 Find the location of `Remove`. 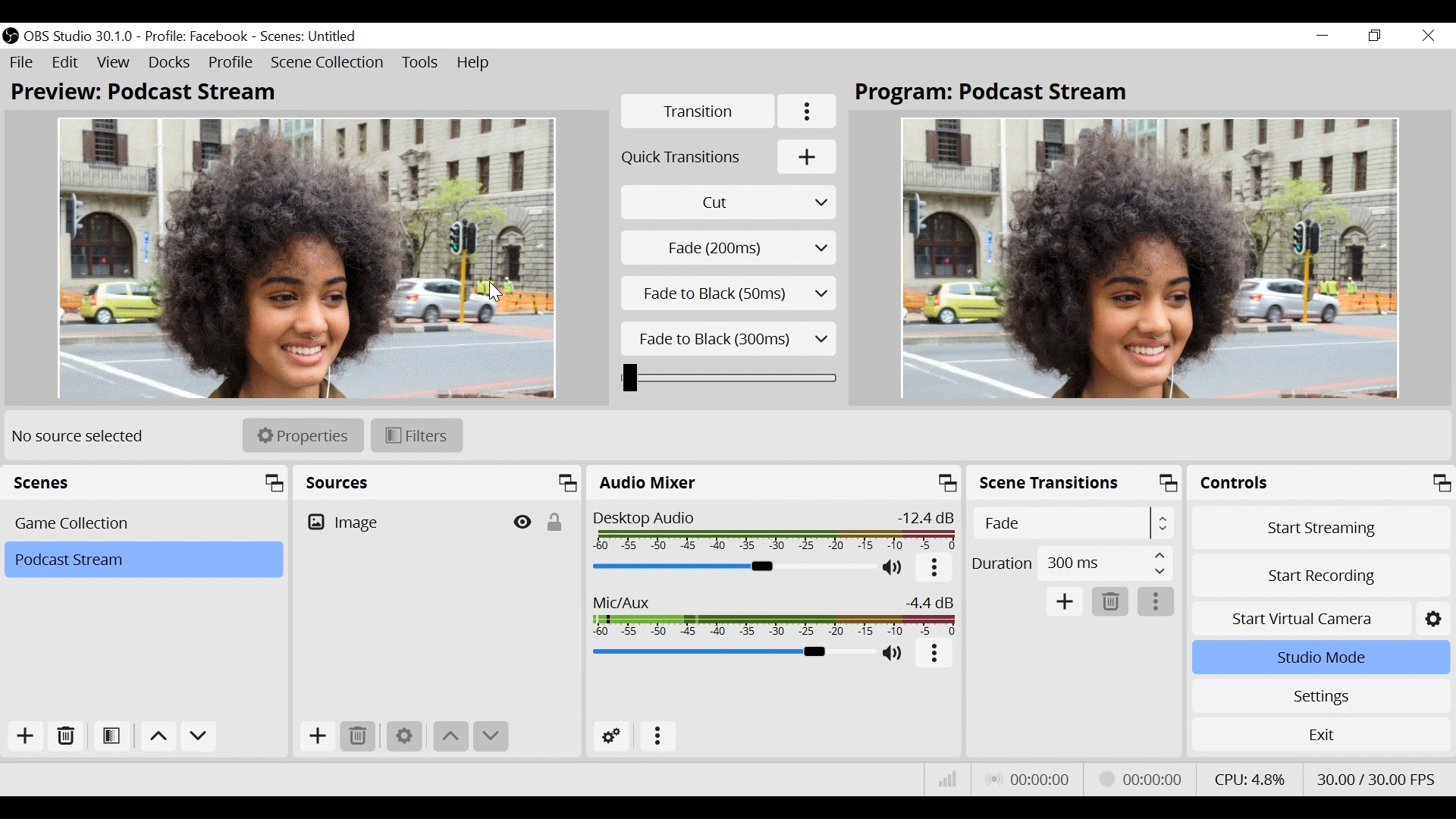

Remove is located at coordinates (358, 736).